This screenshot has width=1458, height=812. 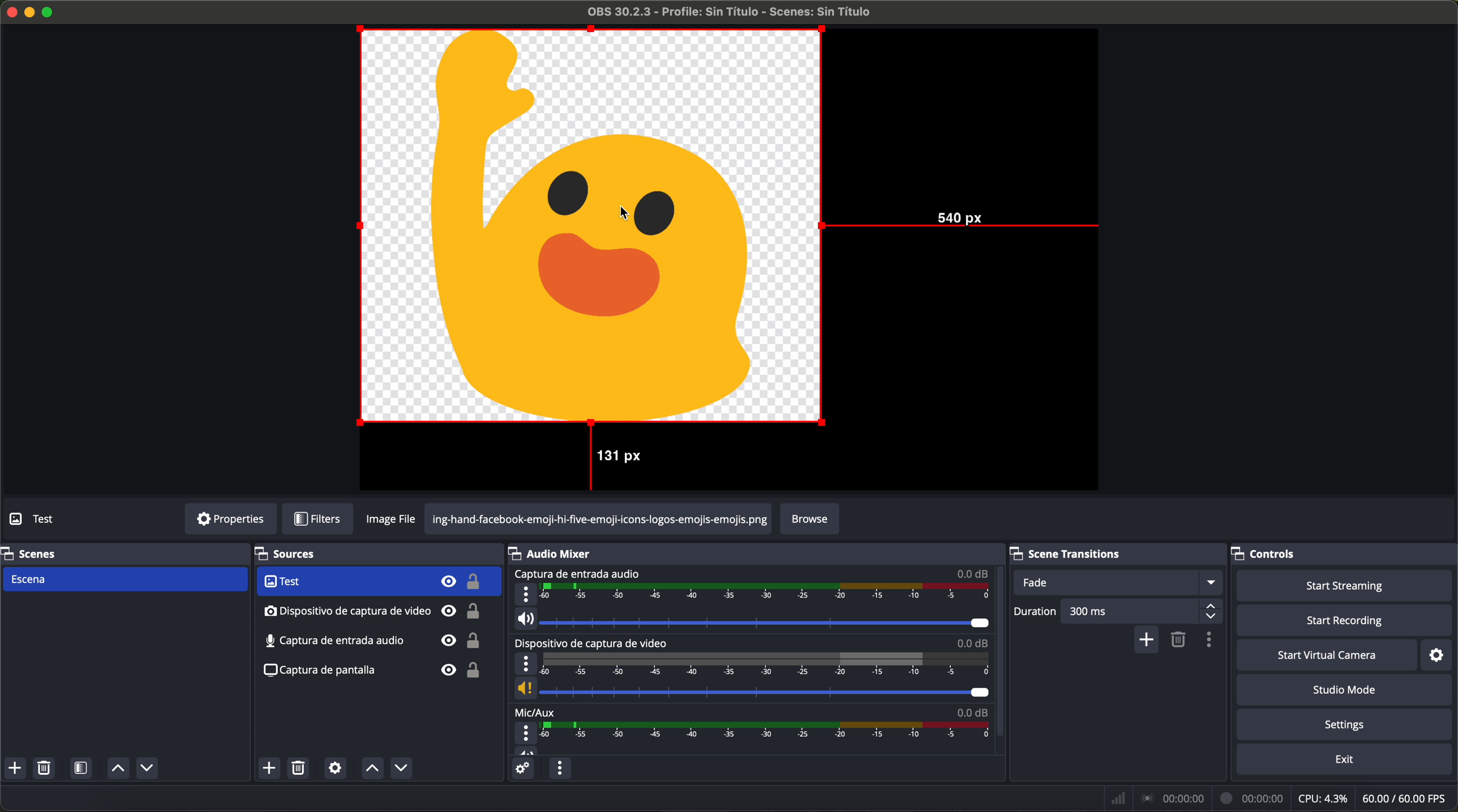 What do you see at coordinates (1340, 585) in the screenshot?
I see `start streaming` at bounding box center [1340, 585].